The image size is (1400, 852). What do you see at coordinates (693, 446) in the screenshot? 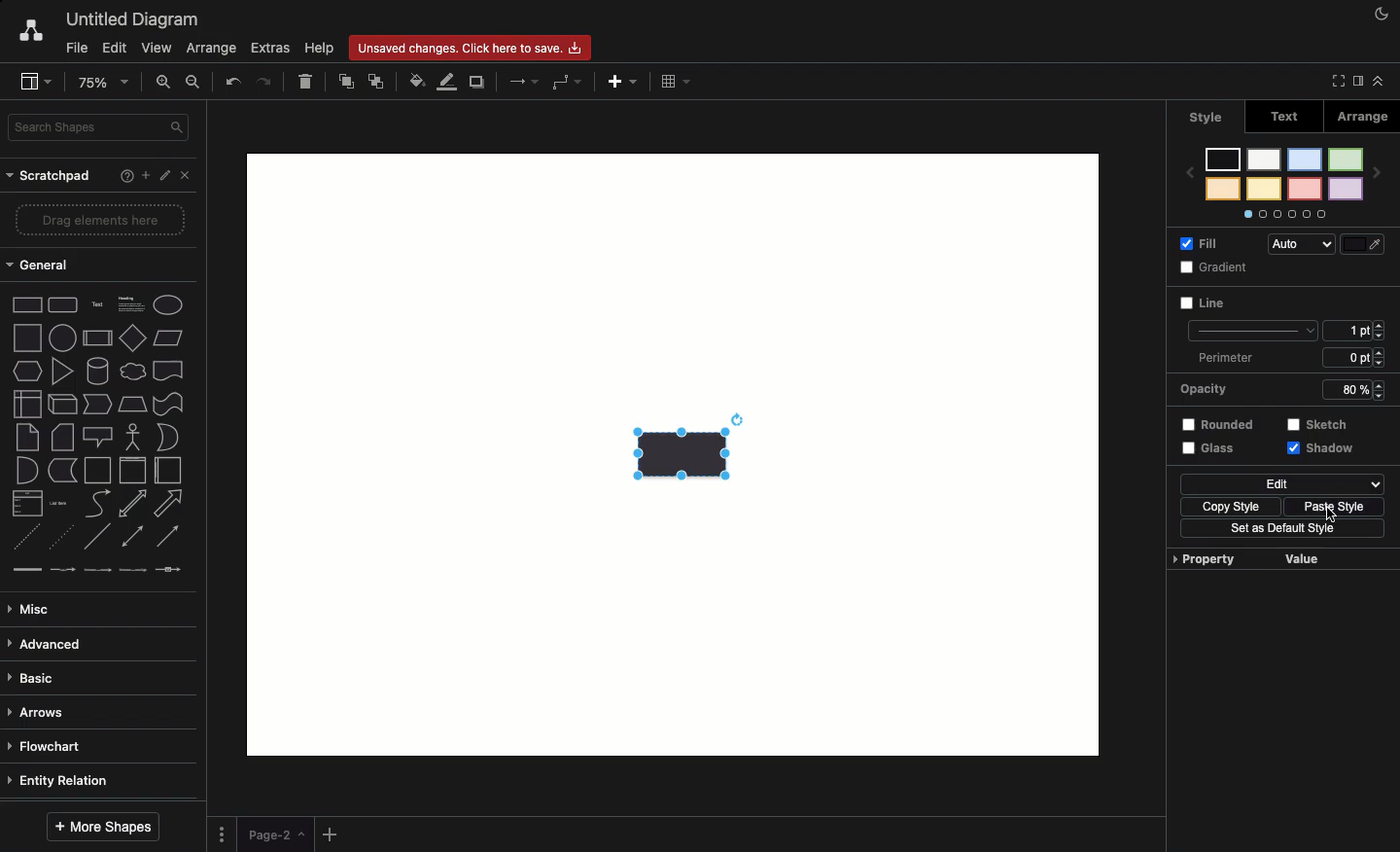
I see `Transparency + shadow` at bounding box center [693, 446].